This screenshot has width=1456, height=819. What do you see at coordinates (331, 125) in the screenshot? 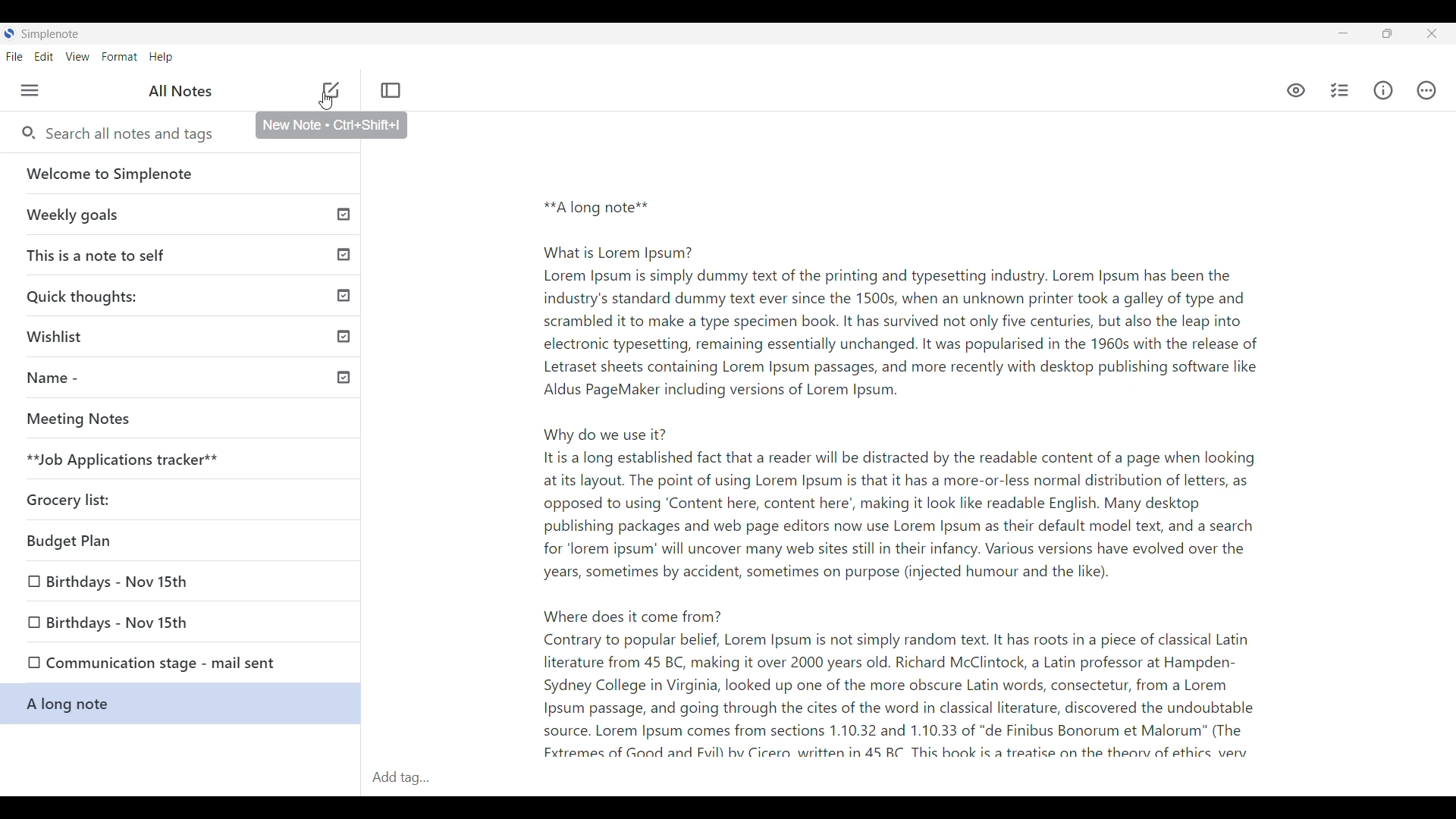
I see `New Note Ctrl+Shift+I` at bounding box center [331, 125].